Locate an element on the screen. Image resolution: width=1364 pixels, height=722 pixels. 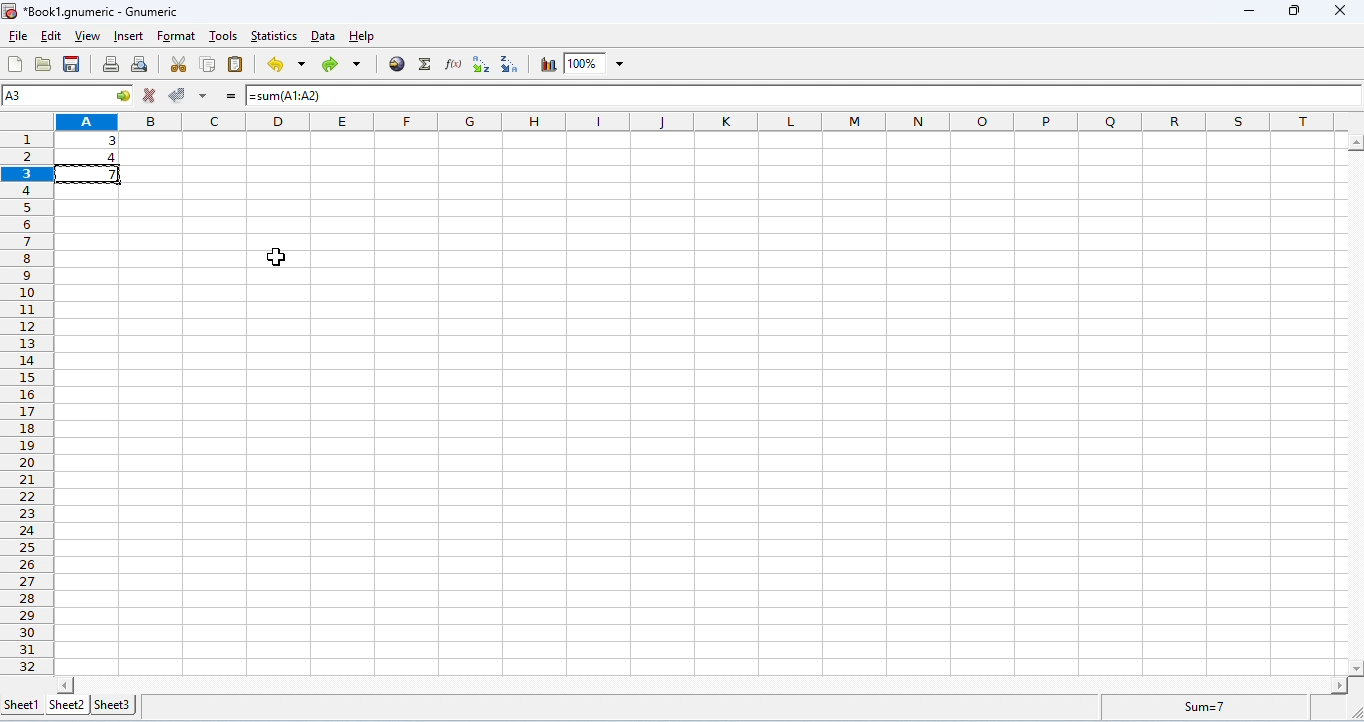
sheet 3 is located at coordinates (113, 705).